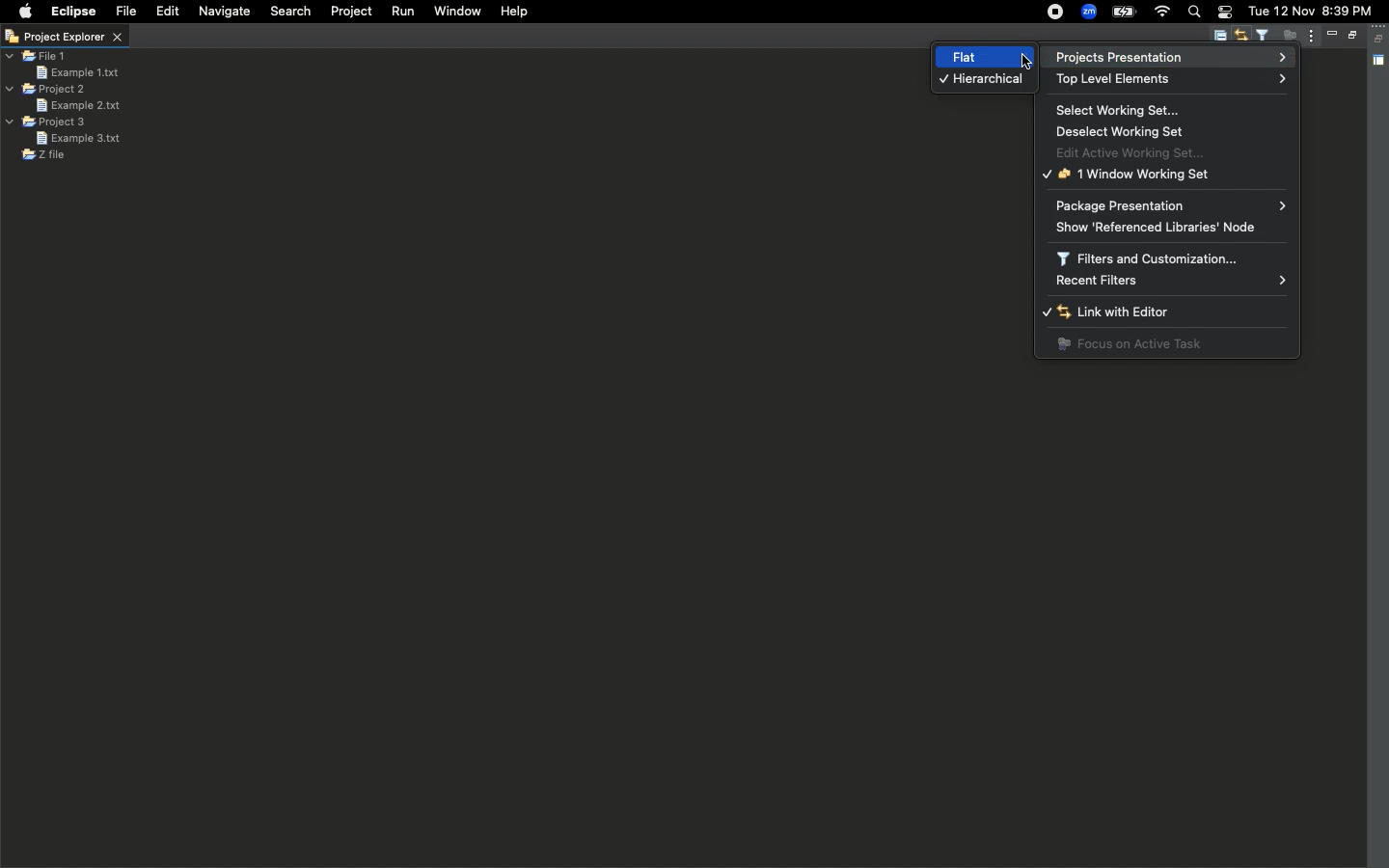  I want to click on Maximize, so click(1350, 37).